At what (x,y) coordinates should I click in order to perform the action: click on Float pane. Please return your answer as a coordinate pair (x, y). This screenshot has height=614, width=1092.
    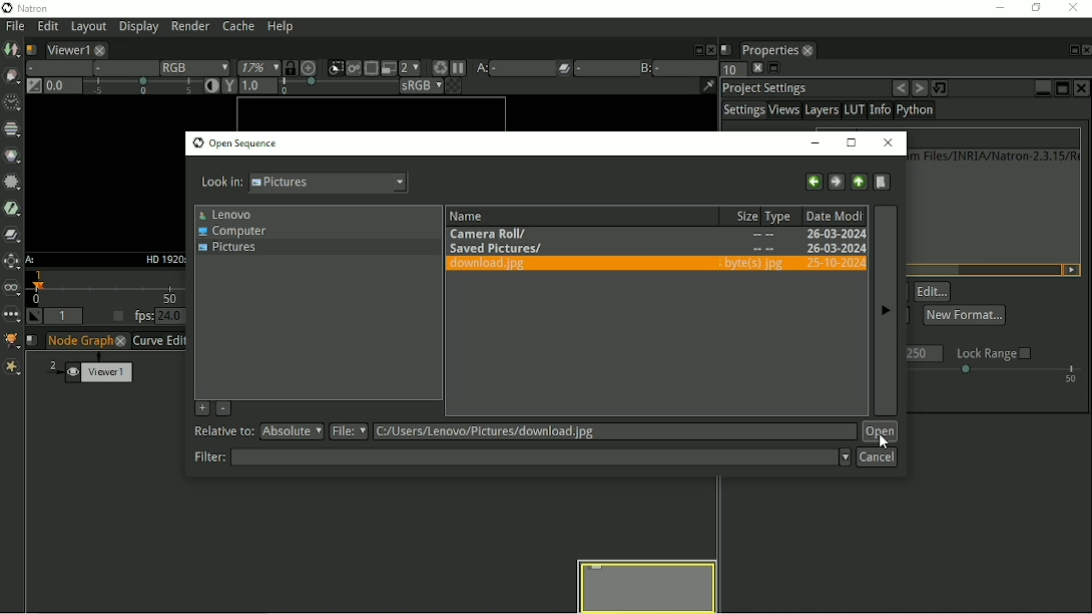
    Looking at the image, I should click on (1070, 50).